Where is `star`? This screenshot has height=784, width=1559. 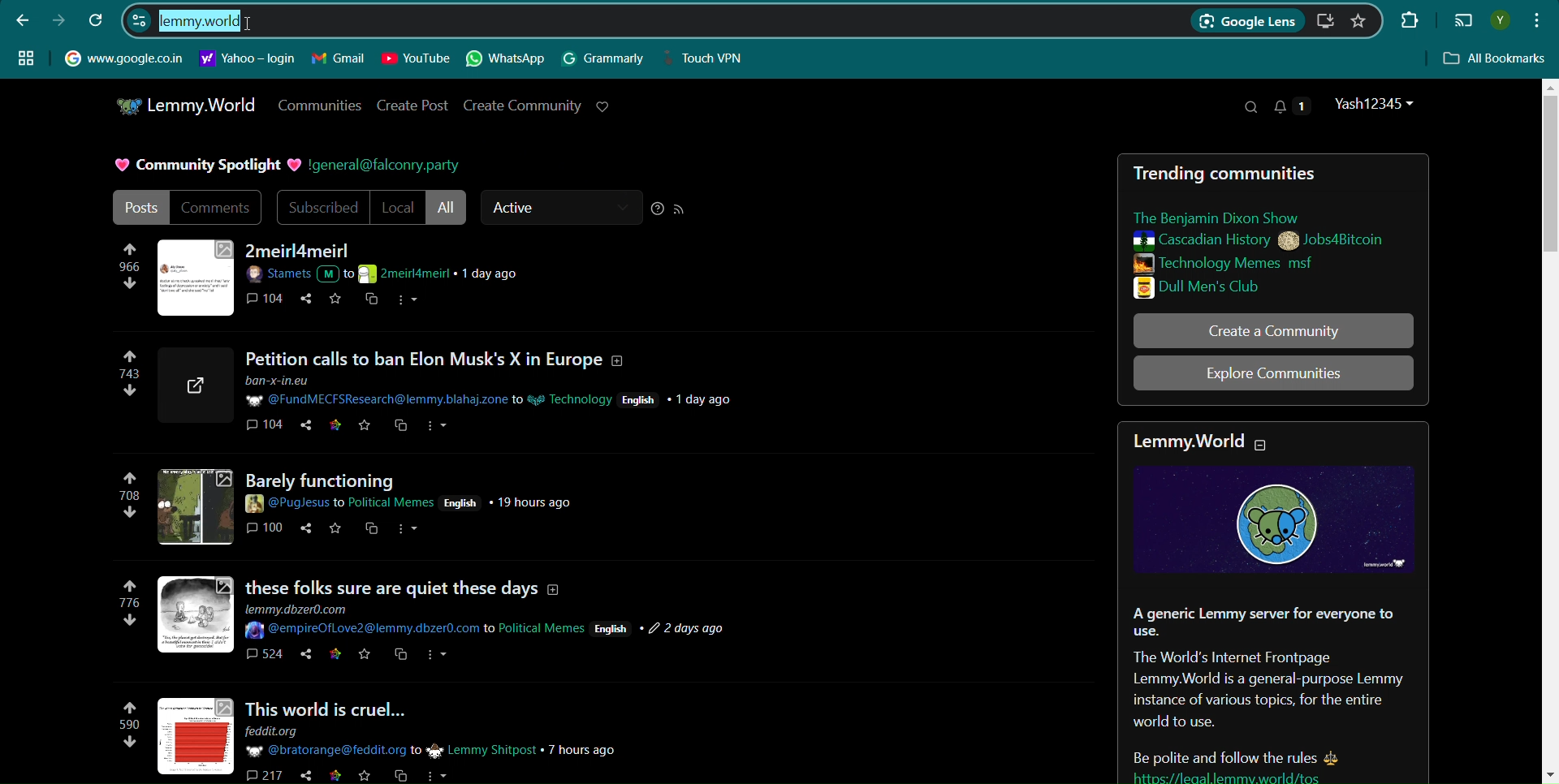
star is located at coordinates (365, 658).